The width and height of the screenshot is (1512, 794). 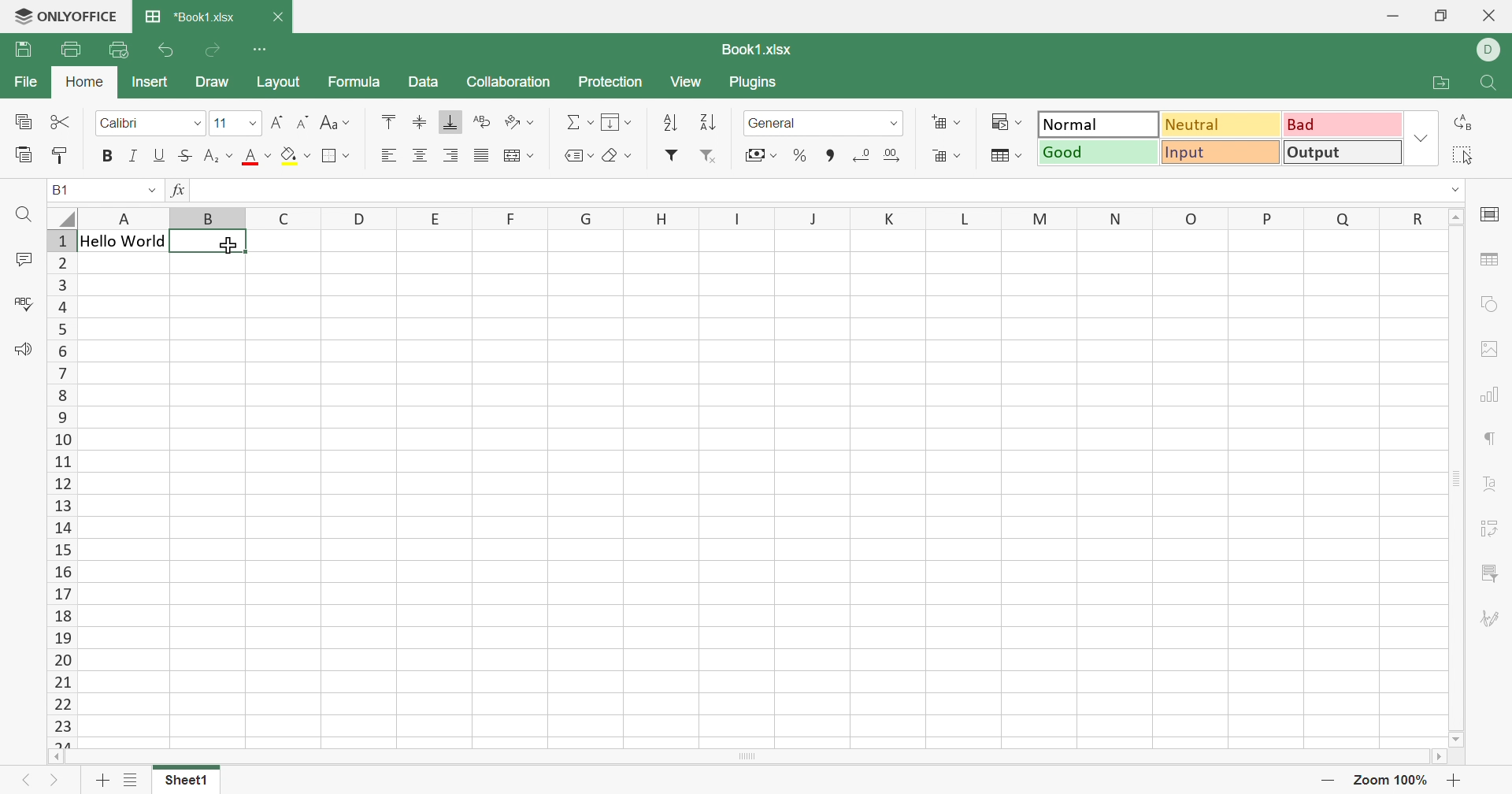 I want to click on Quick print, so click(x=121, y=50).